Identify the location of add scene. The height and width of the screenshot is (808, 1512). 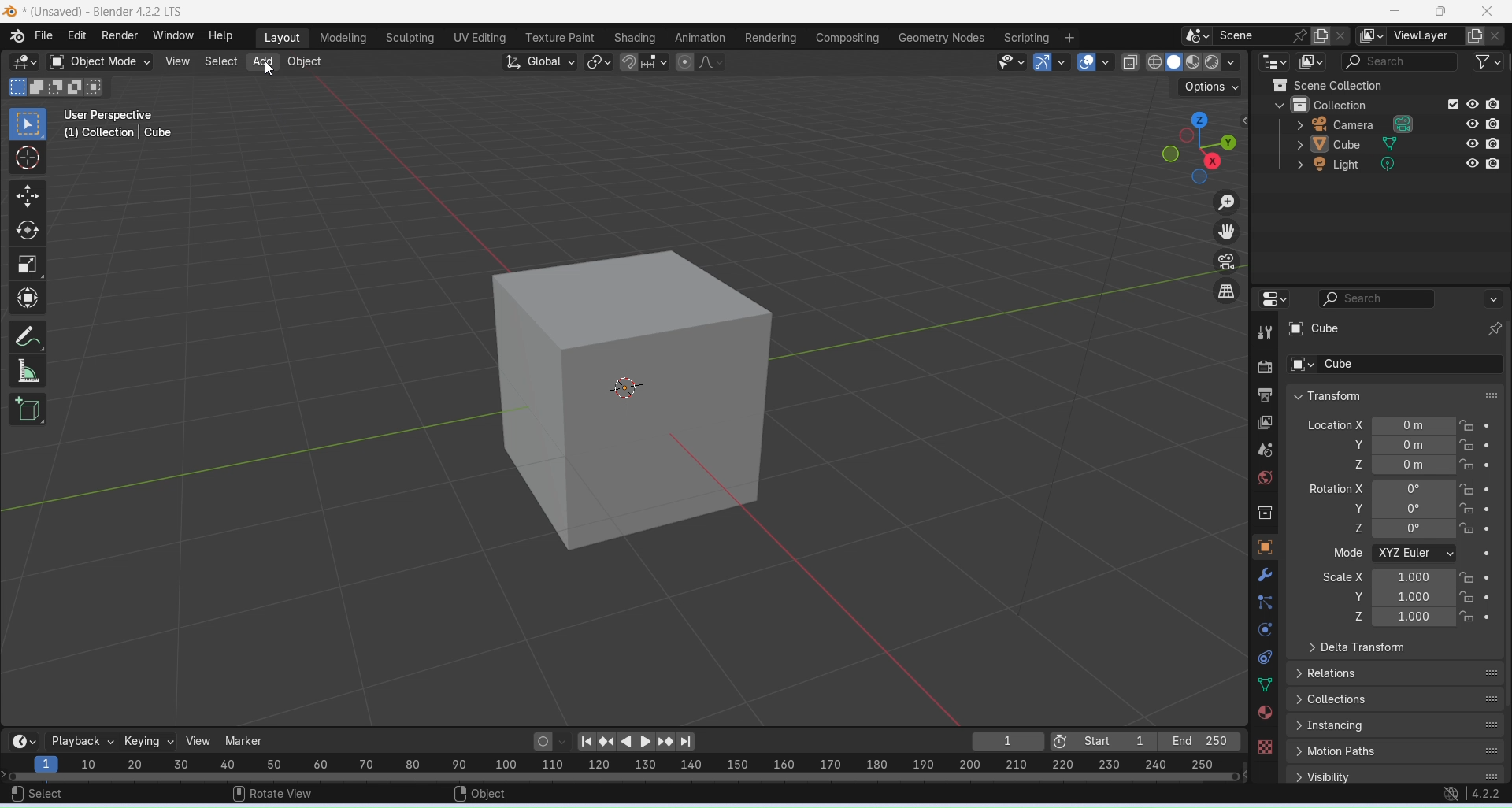
(1321, 37).